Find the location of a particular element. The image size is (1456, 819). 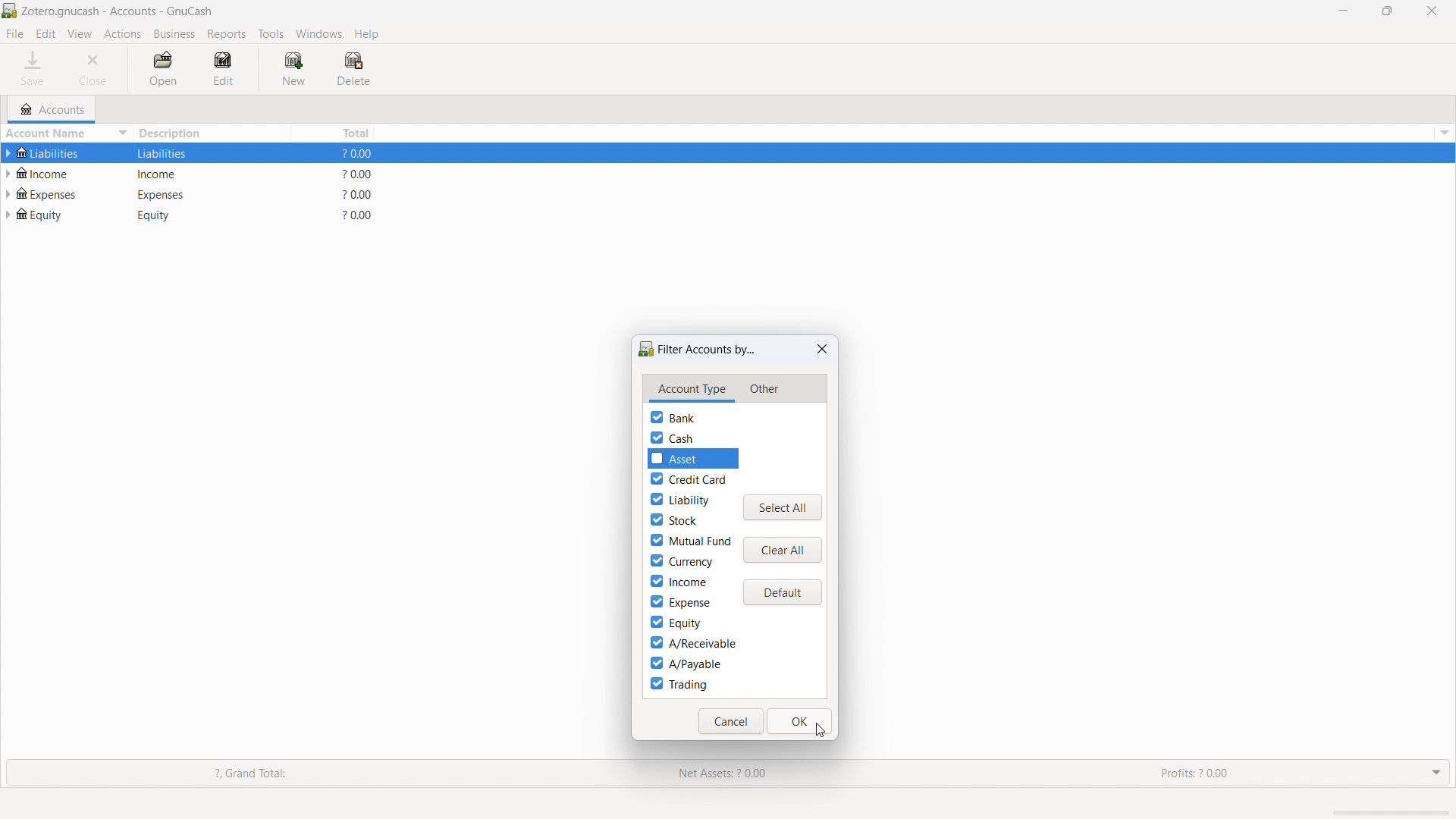

$0.00 is located at coordinates (362, 174).